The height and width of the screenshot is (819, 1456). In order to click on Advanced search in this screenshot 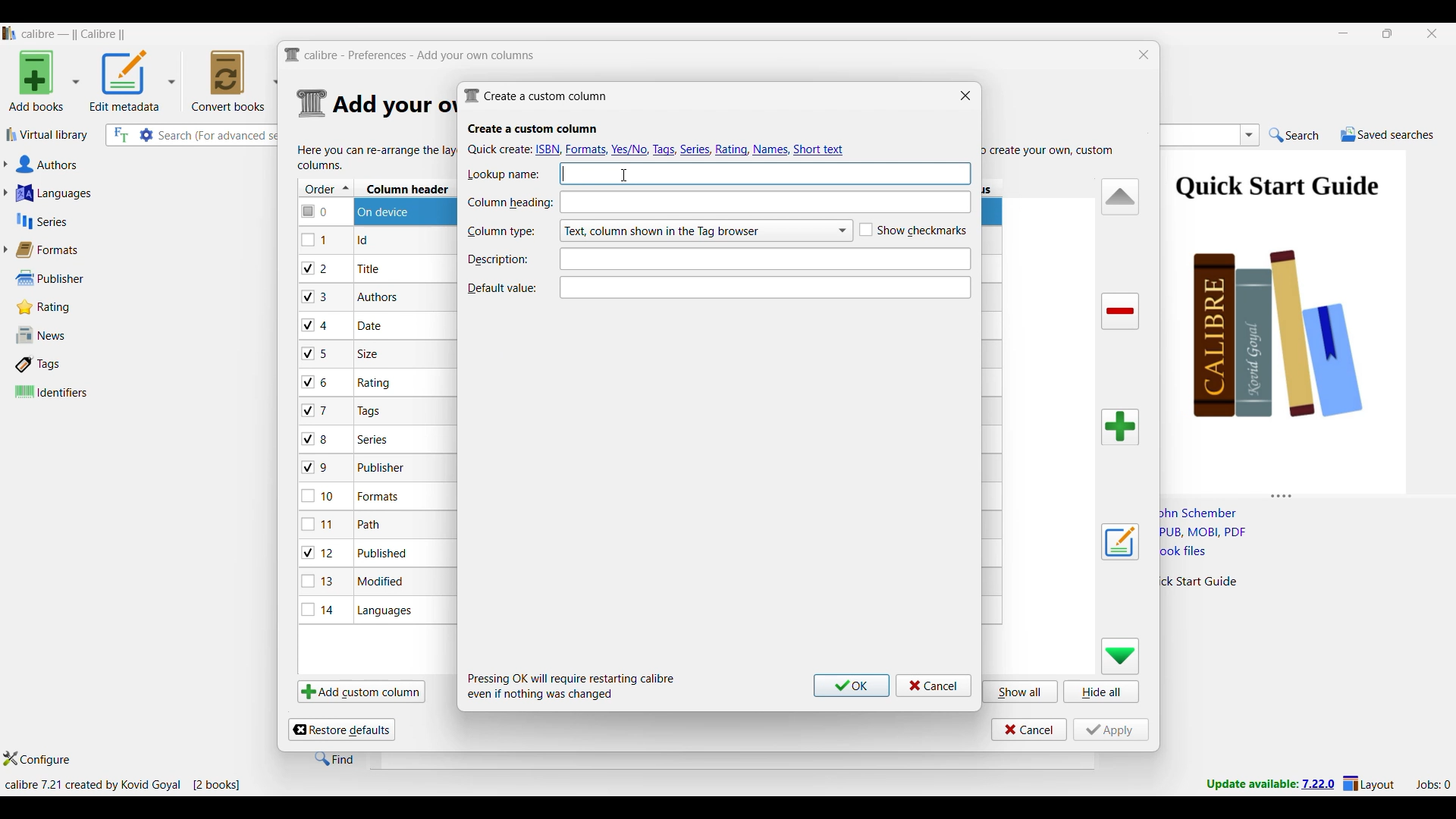, I will do `click(146, 135)`.